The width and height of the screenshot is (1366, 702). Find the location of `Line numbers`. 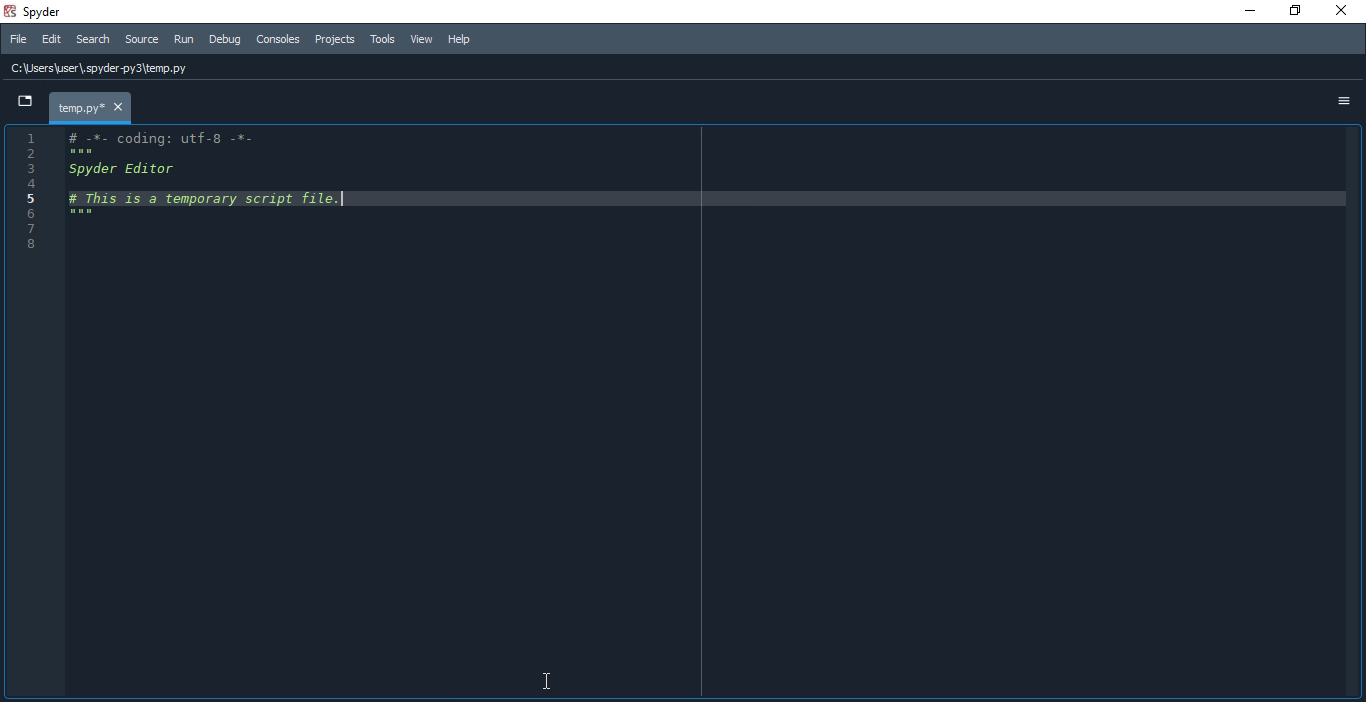

Line numbers is located at coordinates (33, 198).